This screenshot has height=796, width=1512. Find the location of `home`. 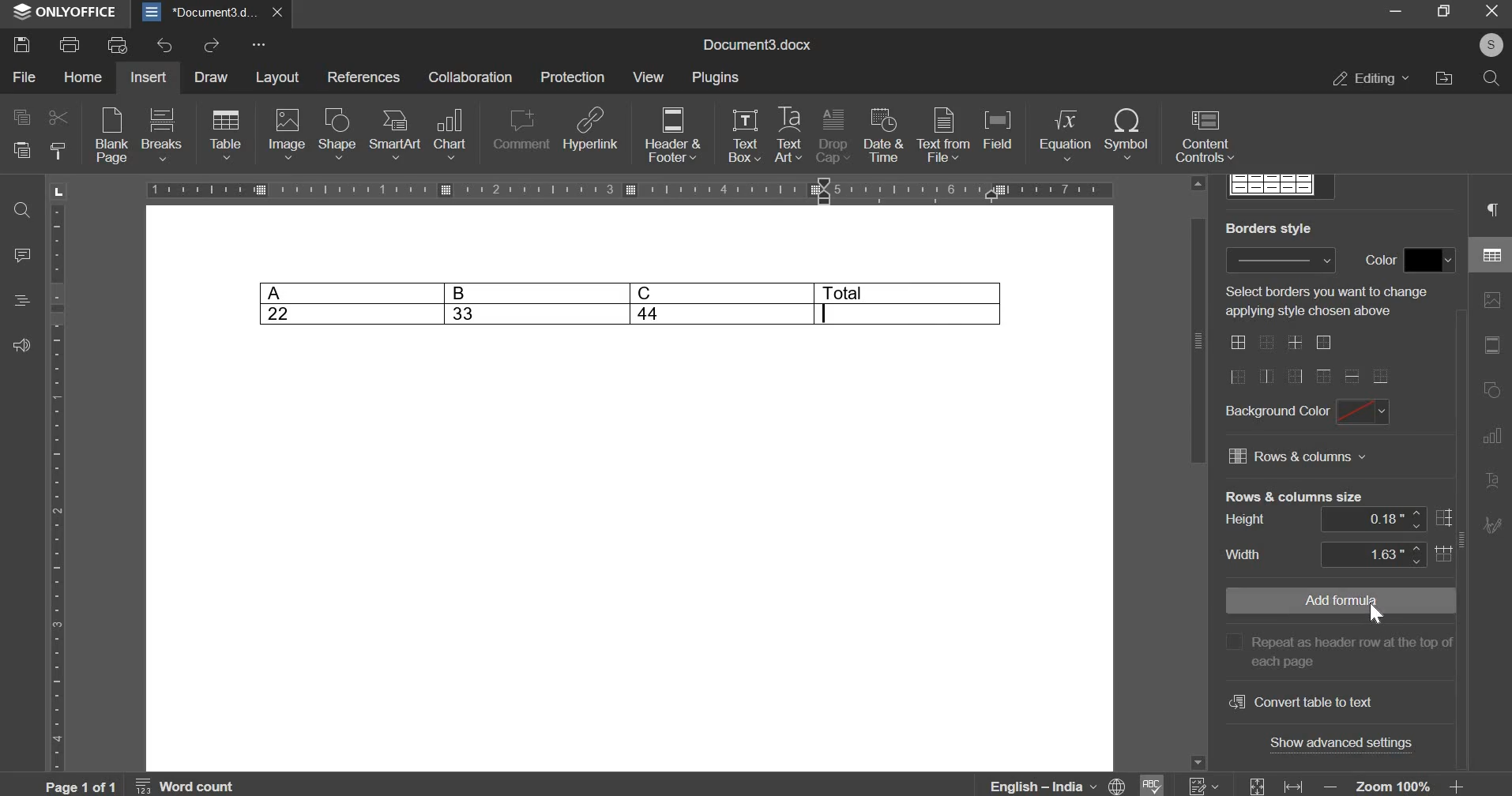

home is located at coordinates (82, 78).